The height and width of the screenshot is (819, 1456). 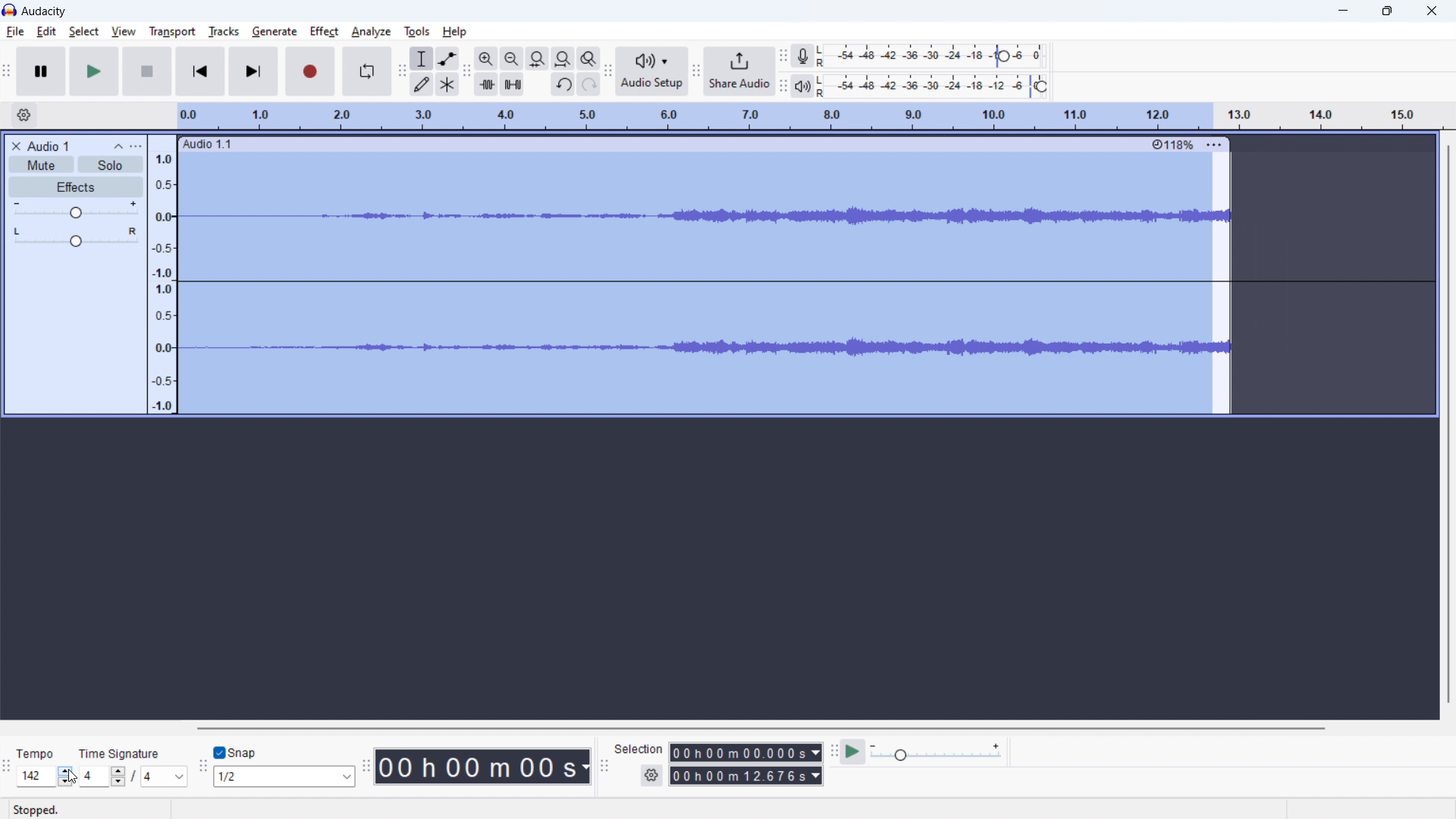 What do you see at coordinates (783, 56) in the screenshot?
I see `recording meter toolbar` at bounding box center [783, 56].